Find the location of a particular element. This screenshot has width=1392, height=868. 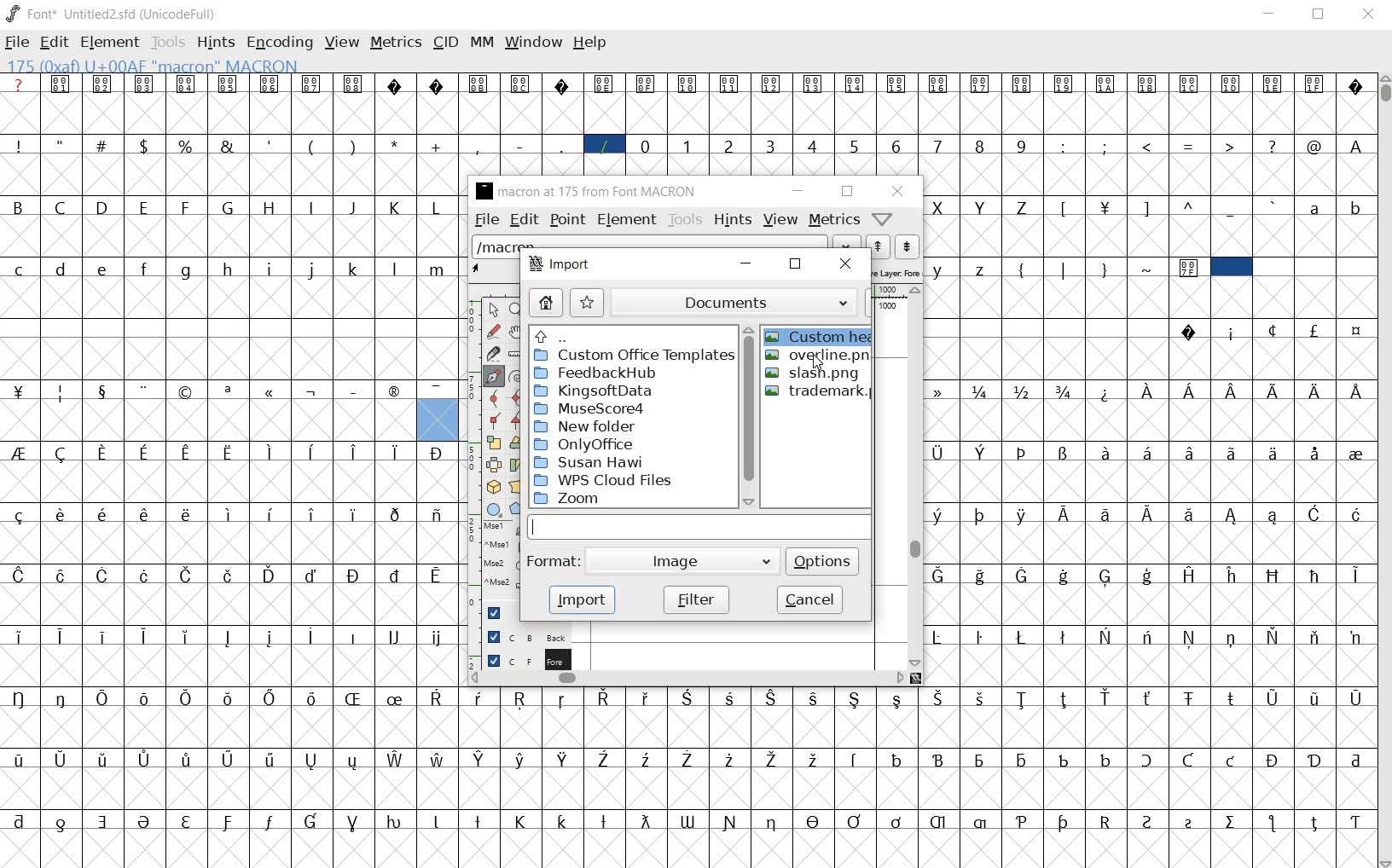

Symbol is located at coordinates (1354, 391).